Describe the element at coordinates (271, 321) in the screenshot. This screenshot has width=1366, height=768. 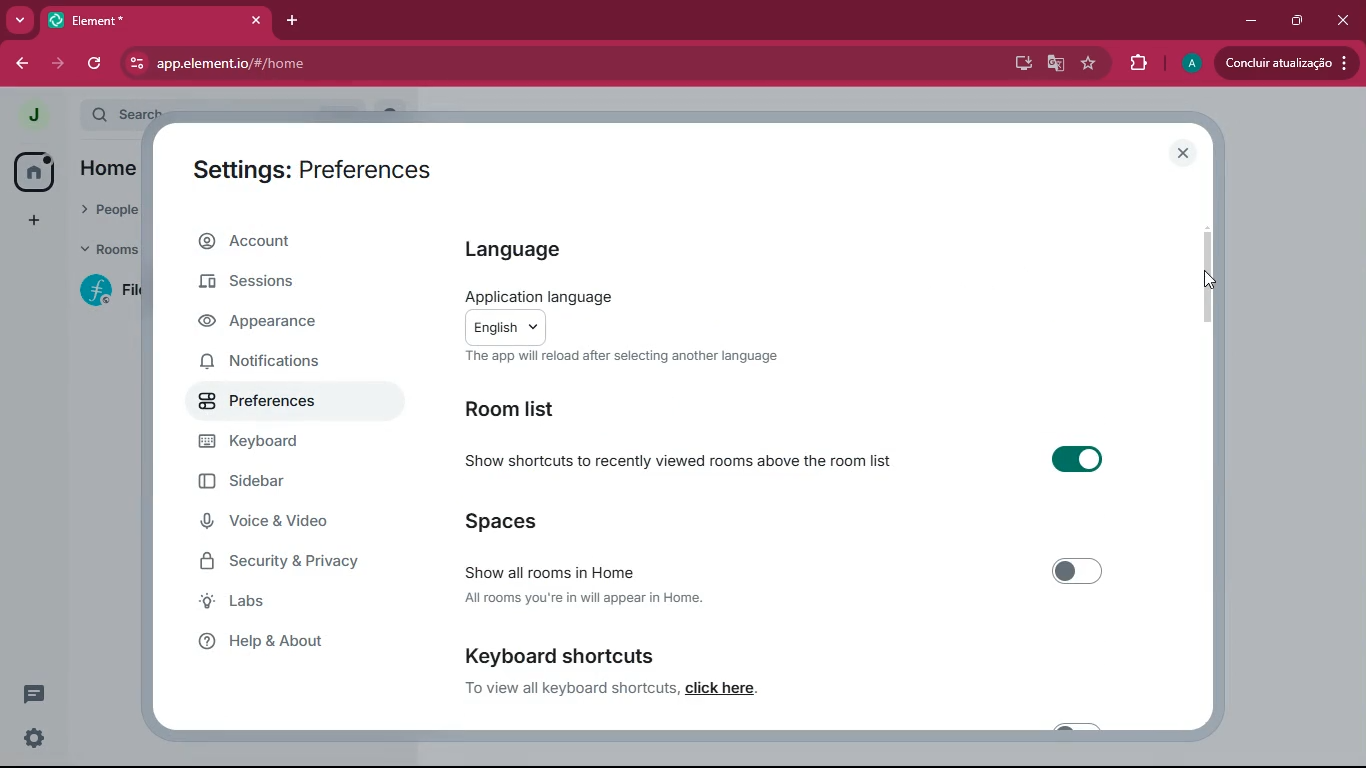
I see `appearance` at that location.